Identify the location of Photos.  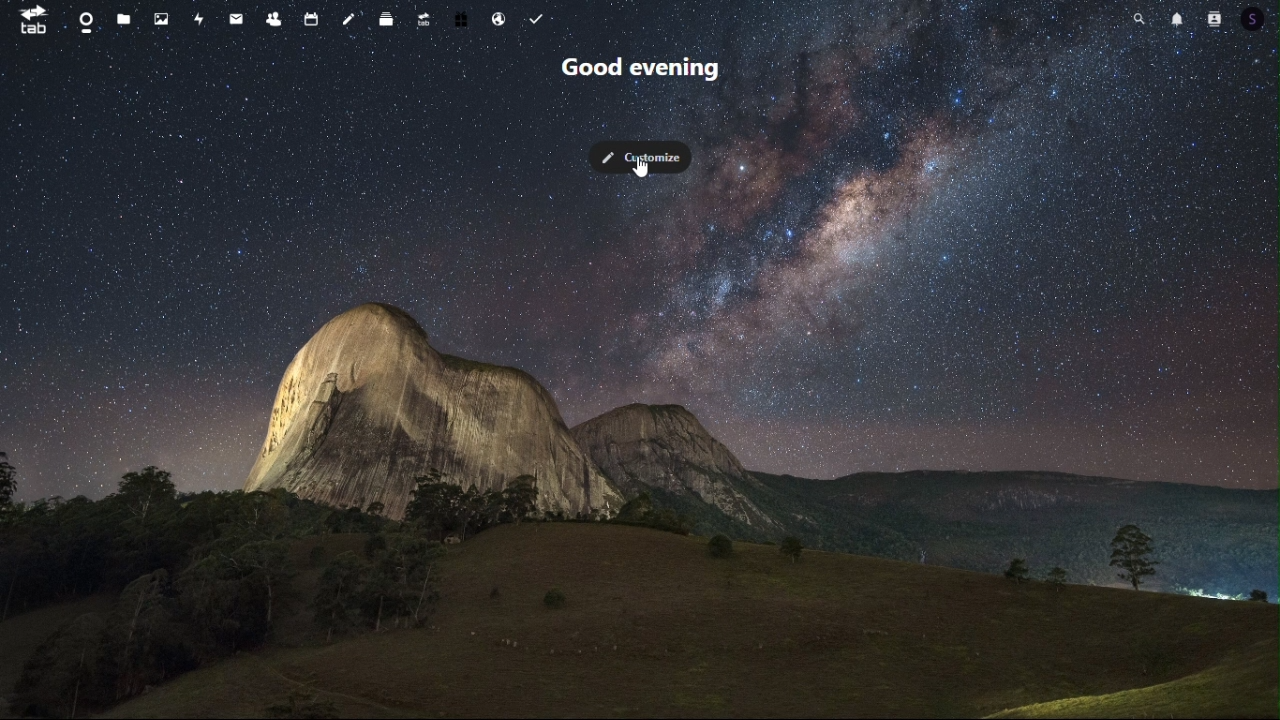
(164, 17).